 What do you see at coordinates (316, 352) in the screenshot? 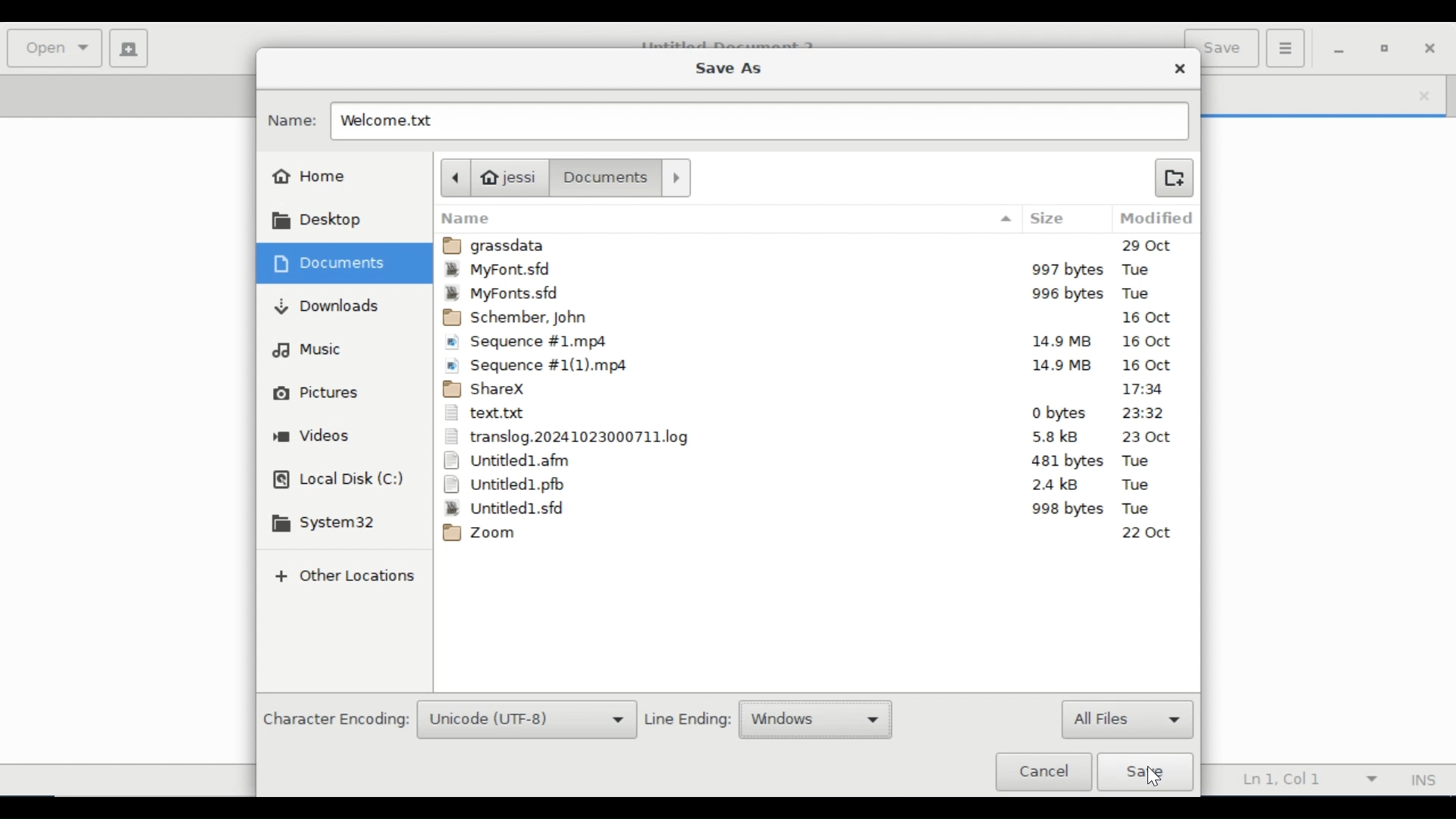
I see `Music` at bounding box center [316, 352].